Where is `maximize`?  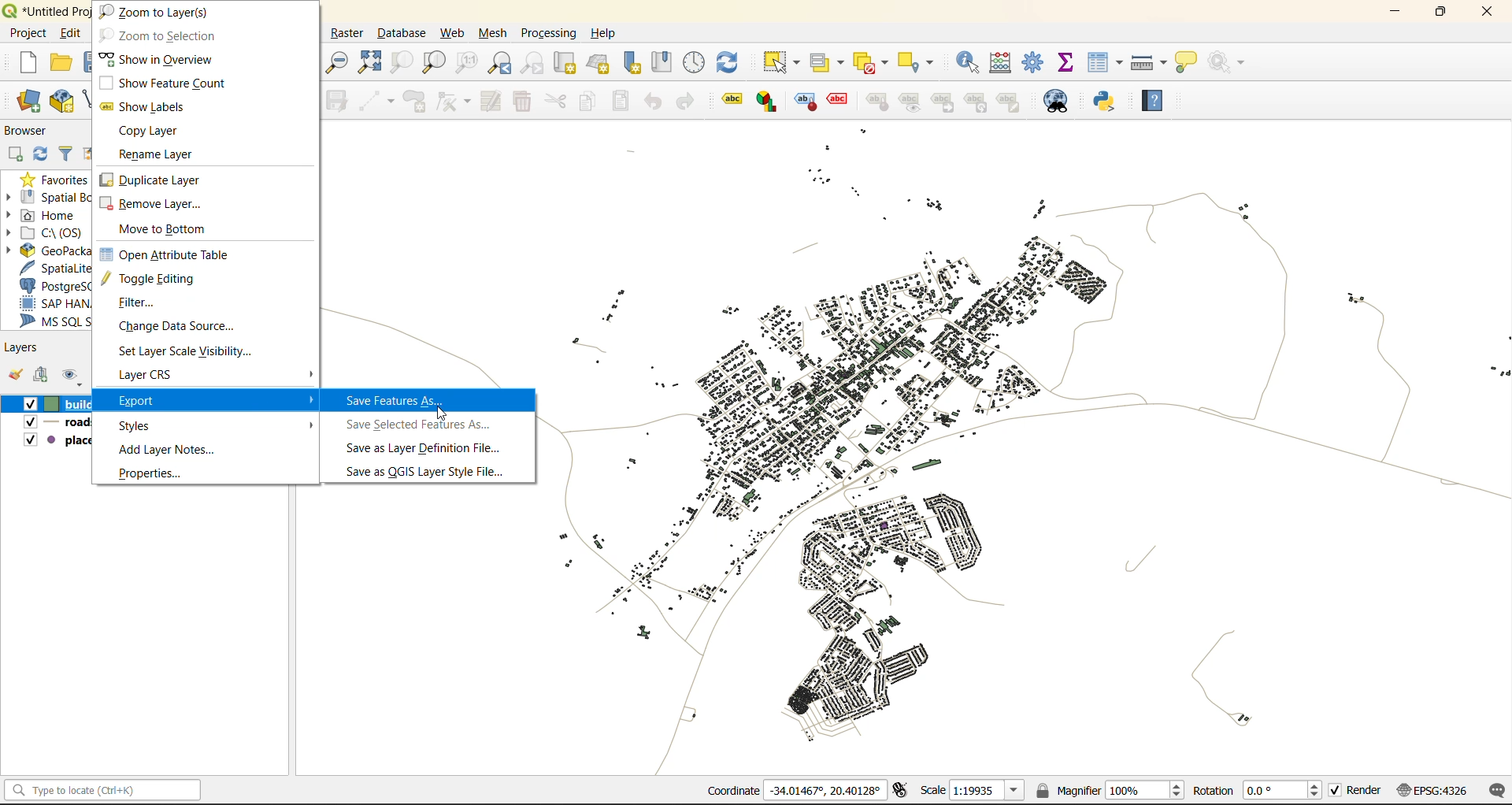
maximize is located at coordinates (1438, 14).